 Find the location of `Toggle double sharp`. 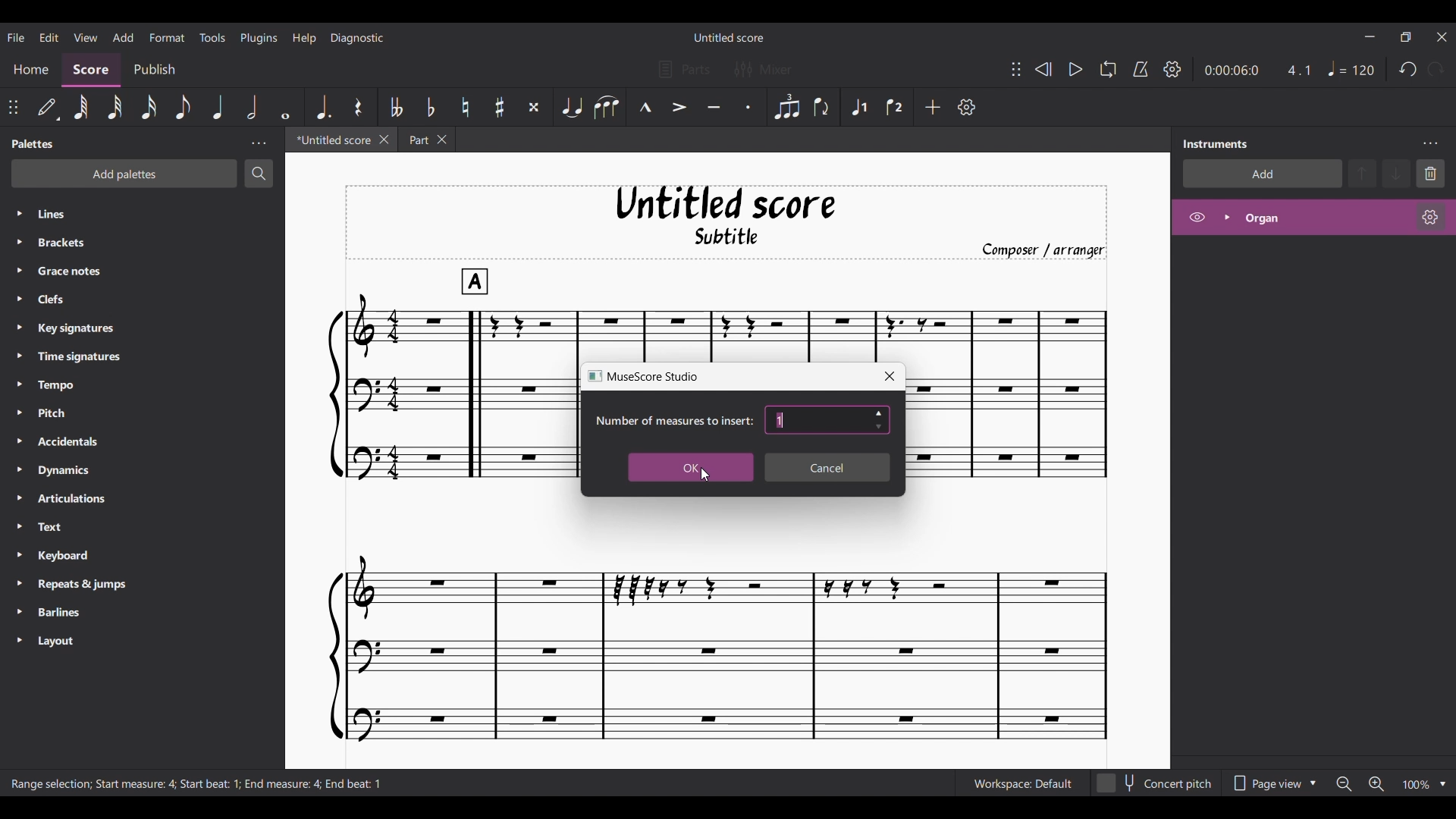

Toggle double sharp is located at coordinates (534, 107).